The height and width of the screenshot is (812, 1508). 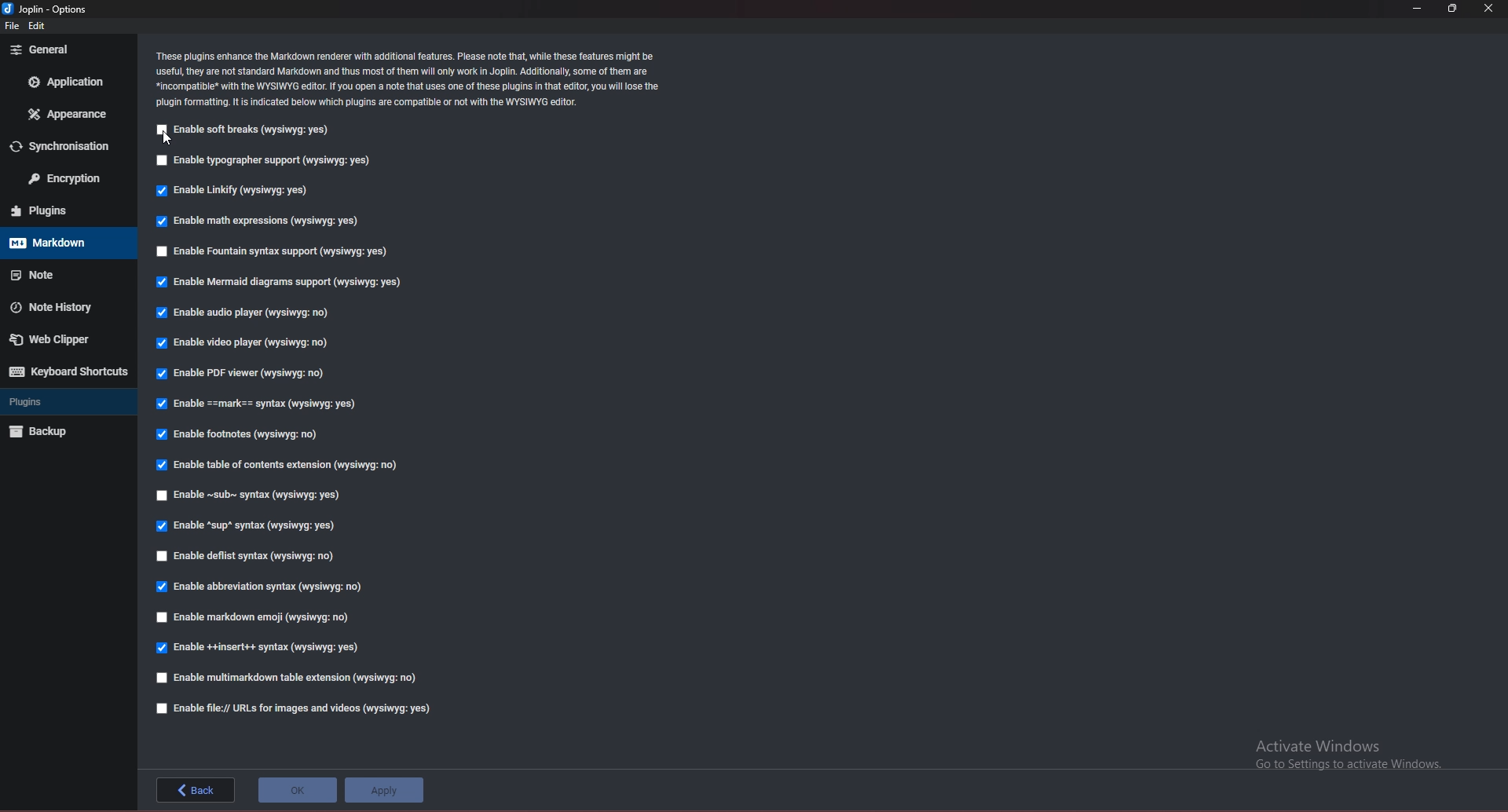 What do you see at coordinates (62, 307) in the screenshot?
I see `note history` at bounding box center [62, 307].